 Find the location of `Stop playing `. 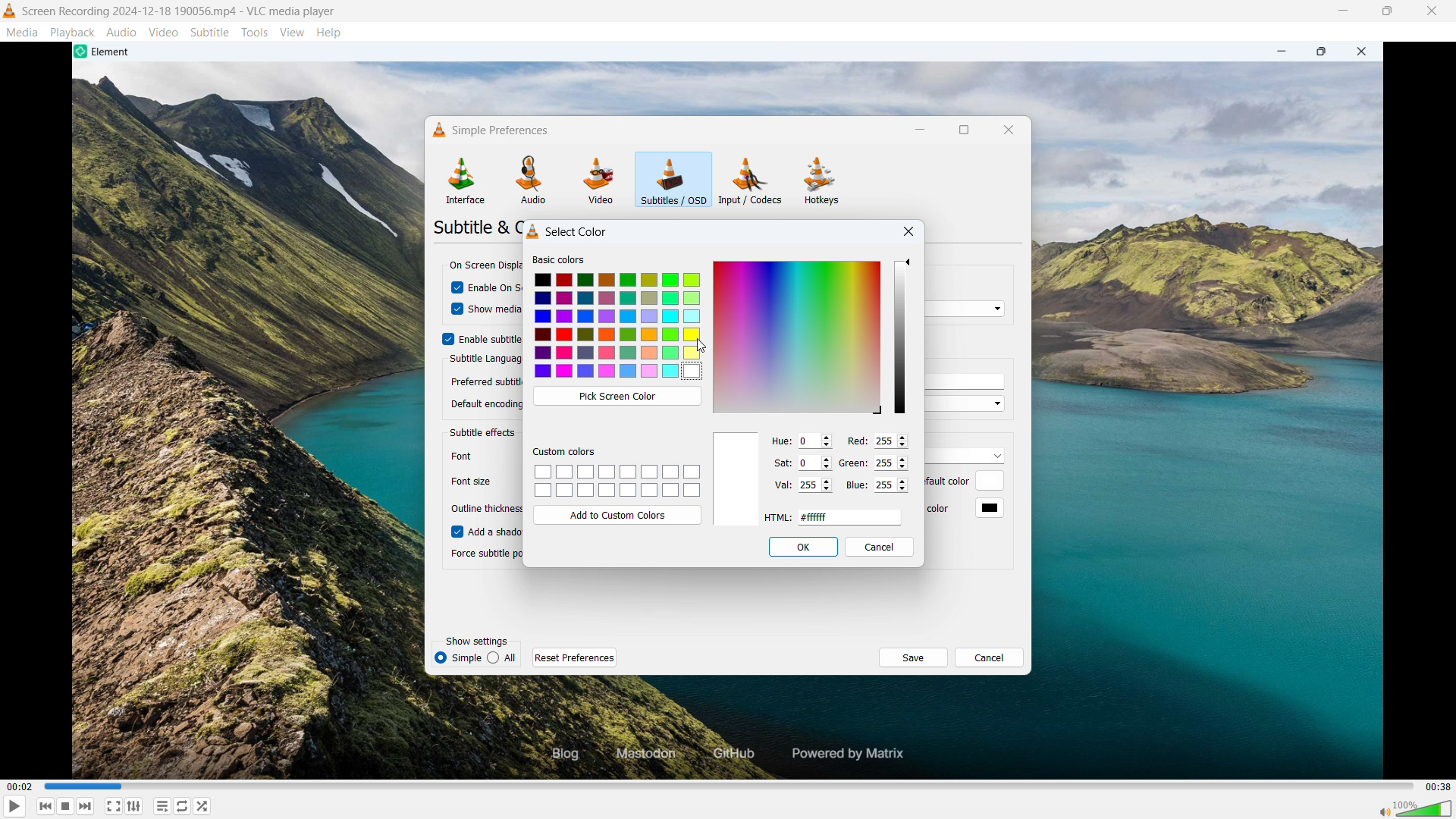

Stop playing  is located at coordinates (46, 806).